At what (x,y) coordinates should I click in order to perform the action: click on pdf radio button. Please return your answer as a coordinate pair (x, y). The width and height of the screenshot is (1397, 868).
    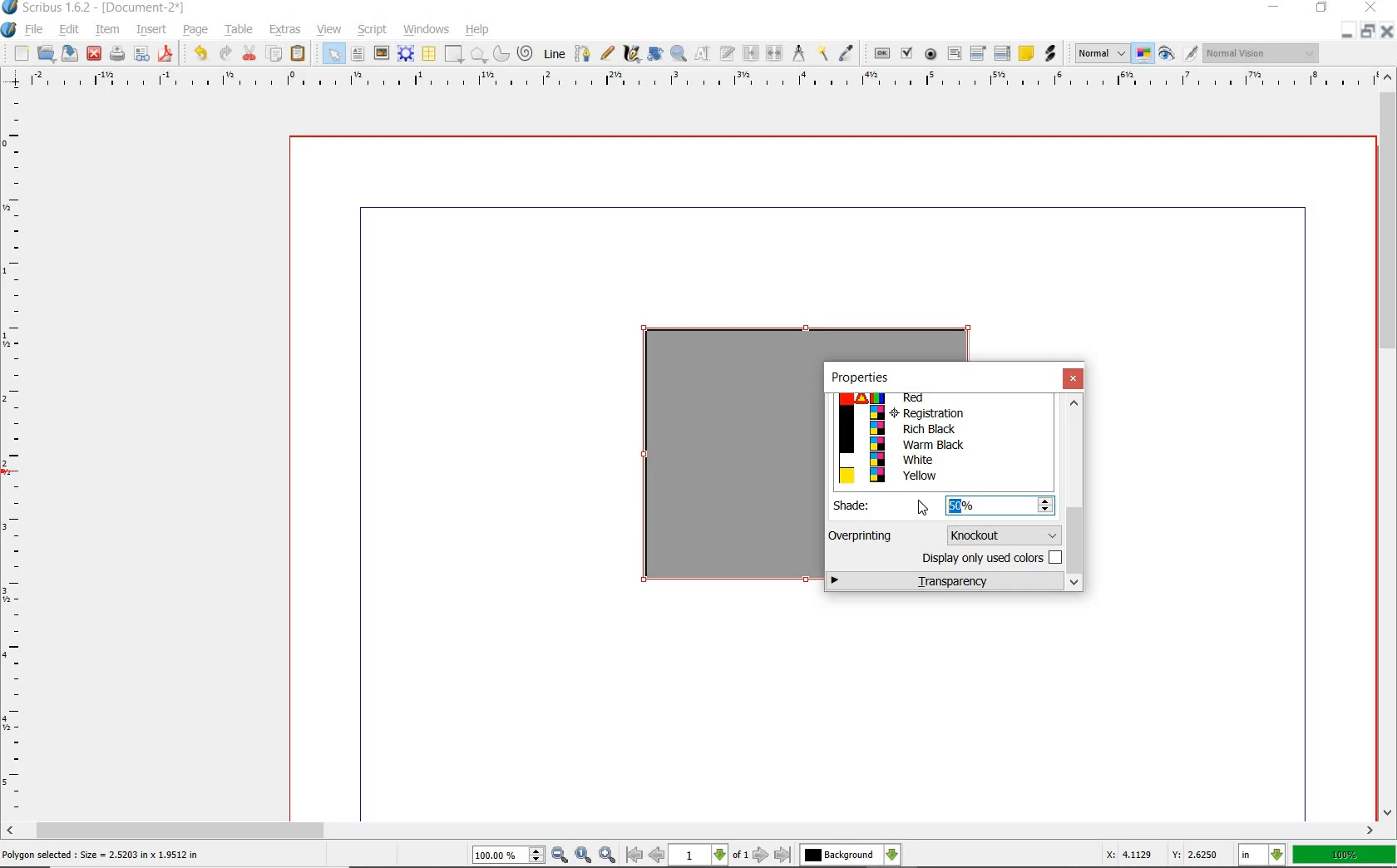
    Looking at the image, I should click on (927, 54).